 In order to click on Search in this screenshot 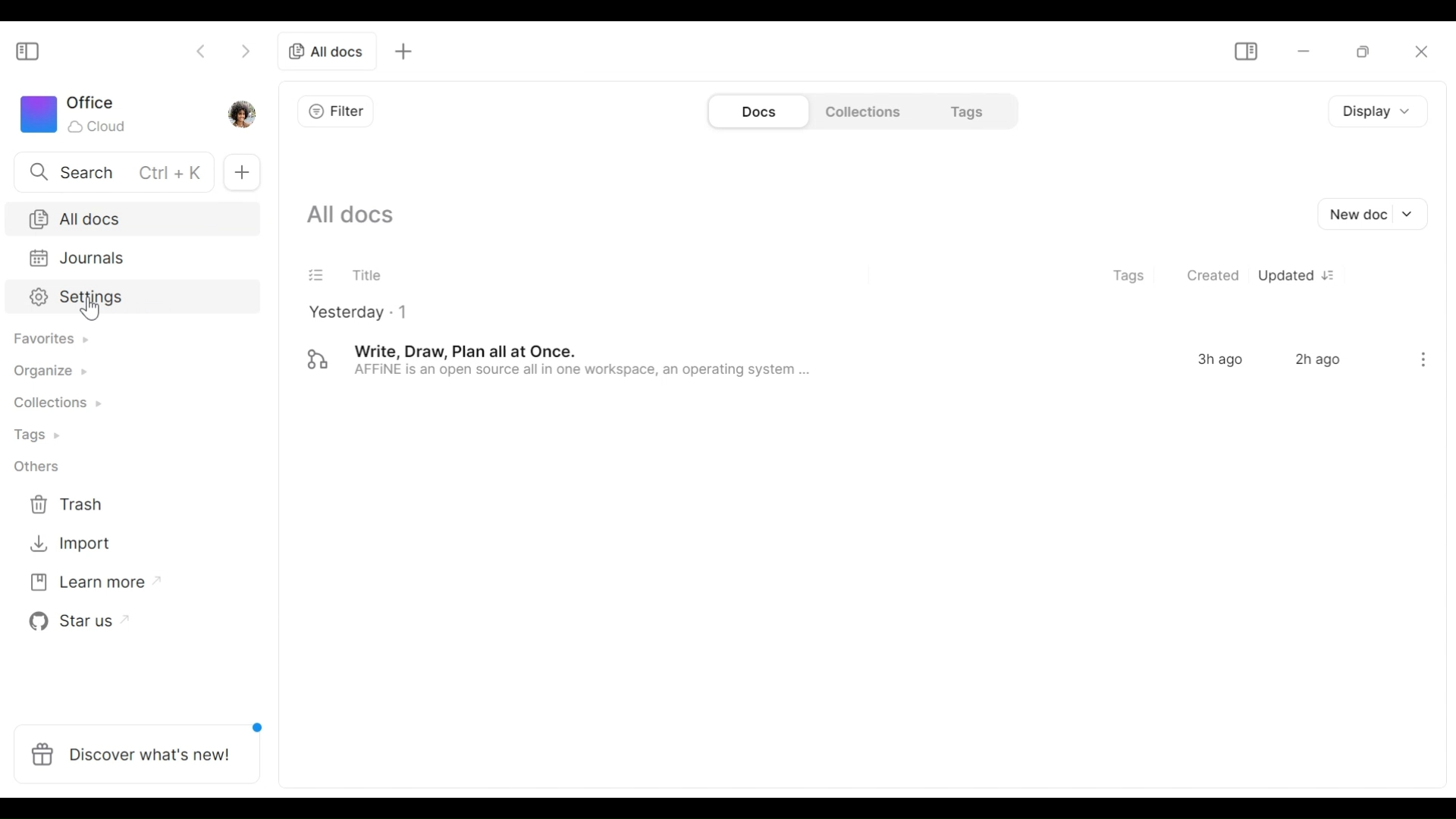, I will do `click(111, 171)`.